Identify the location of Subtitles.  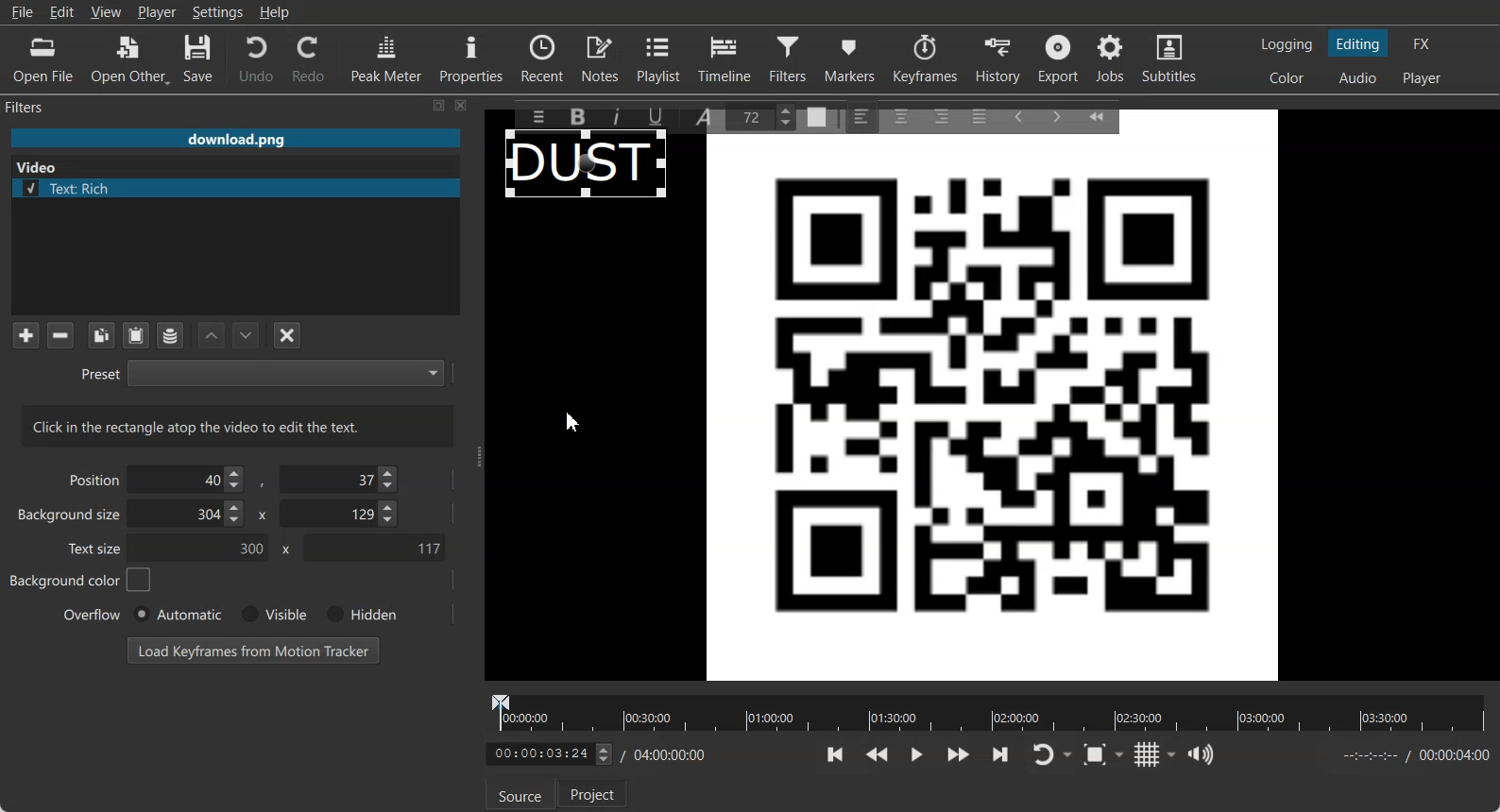
(1170, 59).